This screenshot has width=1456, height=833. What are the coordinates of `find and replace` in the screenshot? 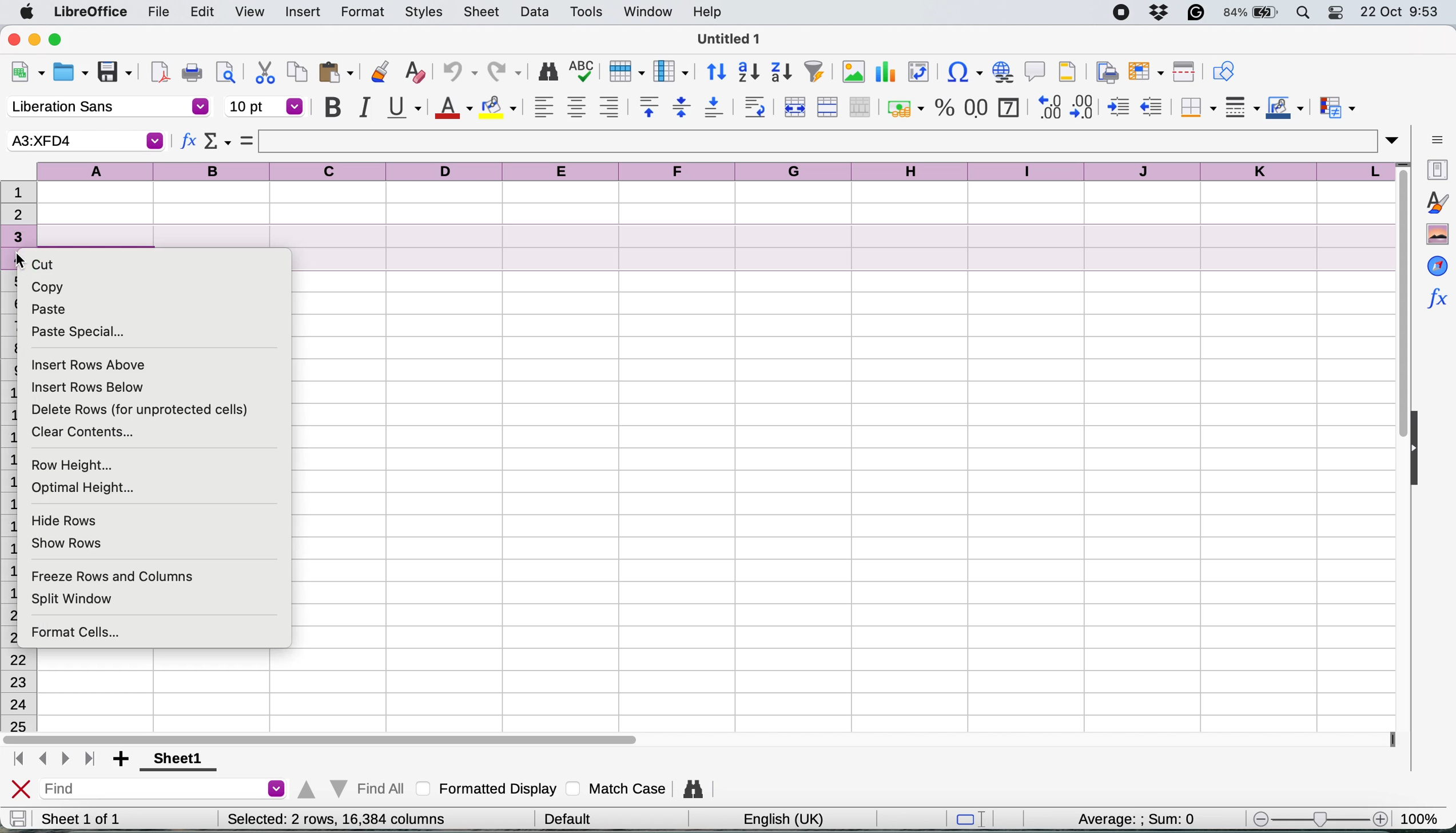 It's located at (549, 72).